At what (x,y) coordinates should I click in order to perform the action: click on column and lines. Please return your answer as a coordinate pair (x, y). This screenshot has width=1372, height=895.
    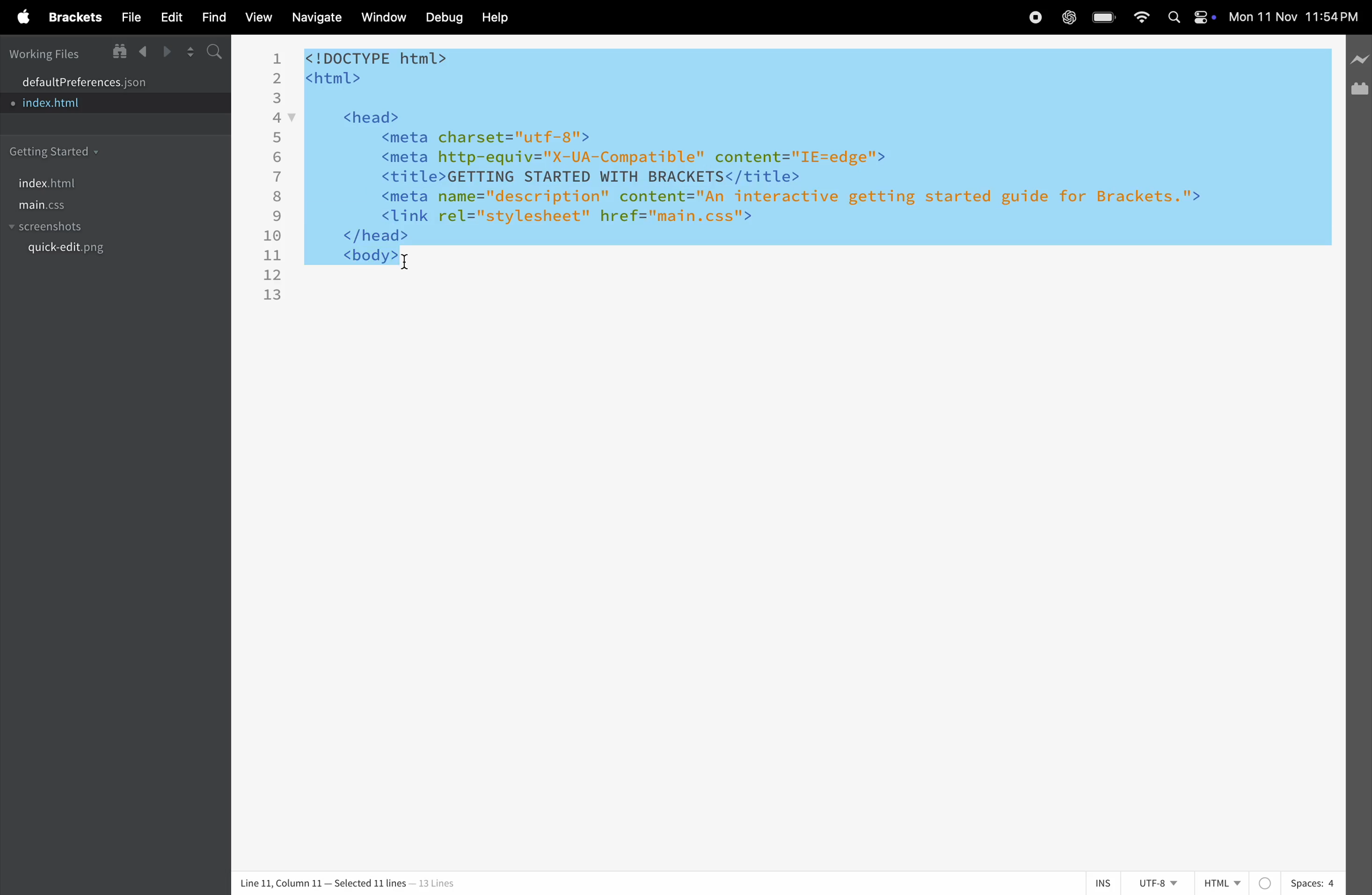
    Looking at the image, I should click on (344, 881).